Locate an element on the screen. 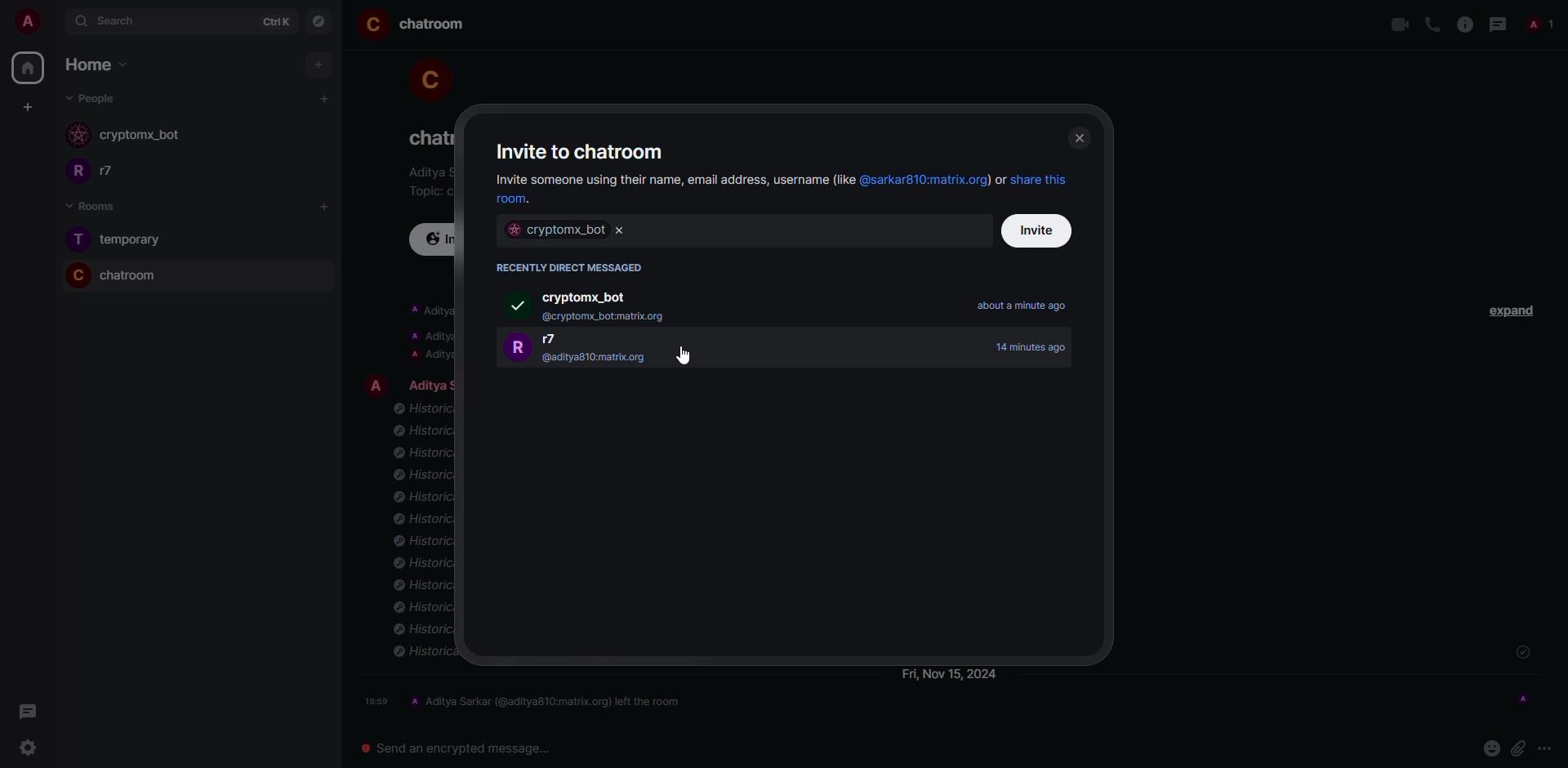 The image size is (1568, 768). email id is located at coordinates (596, 359).